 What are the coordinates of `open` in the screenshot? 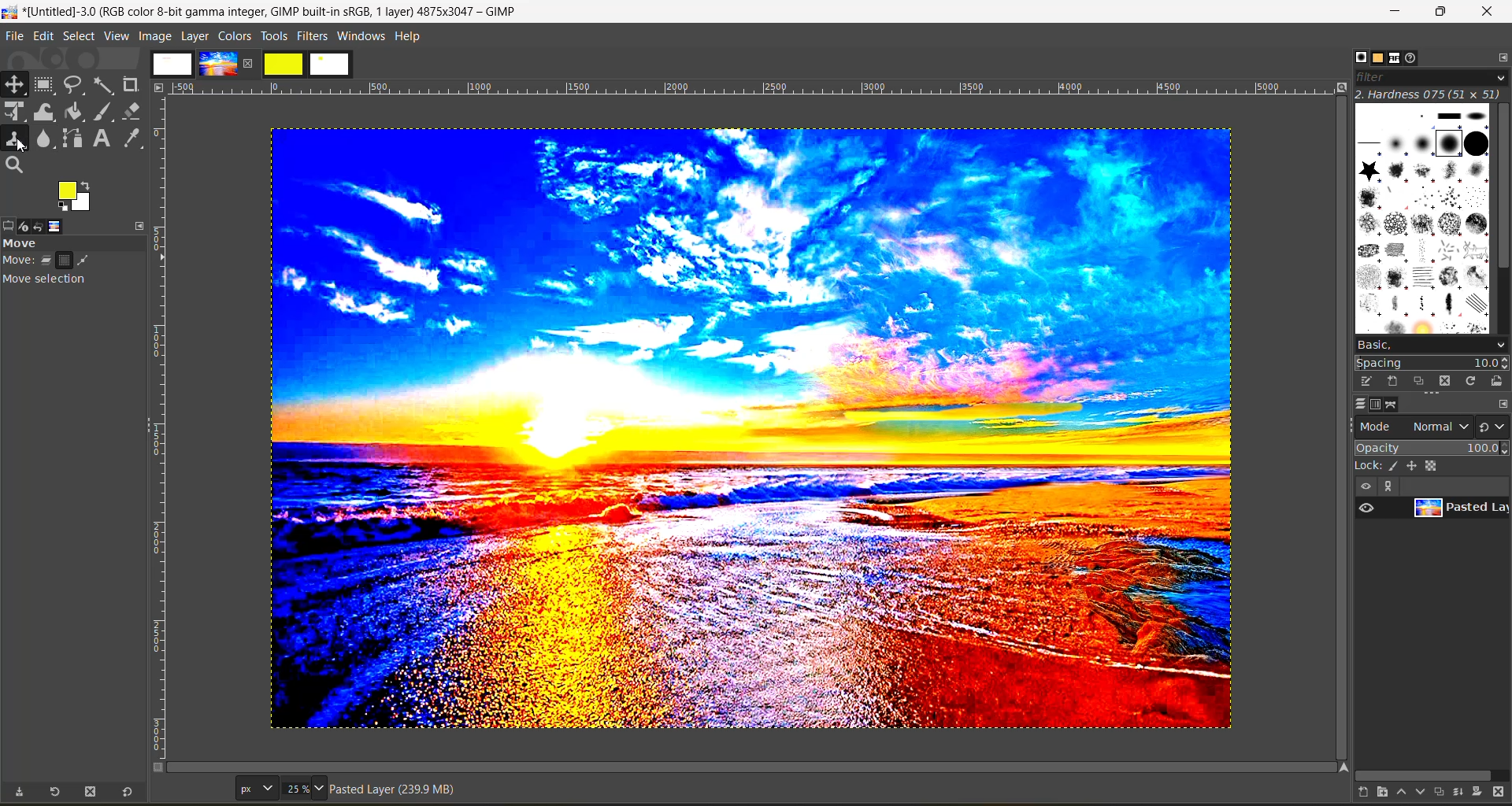 It's located at (140, 224).